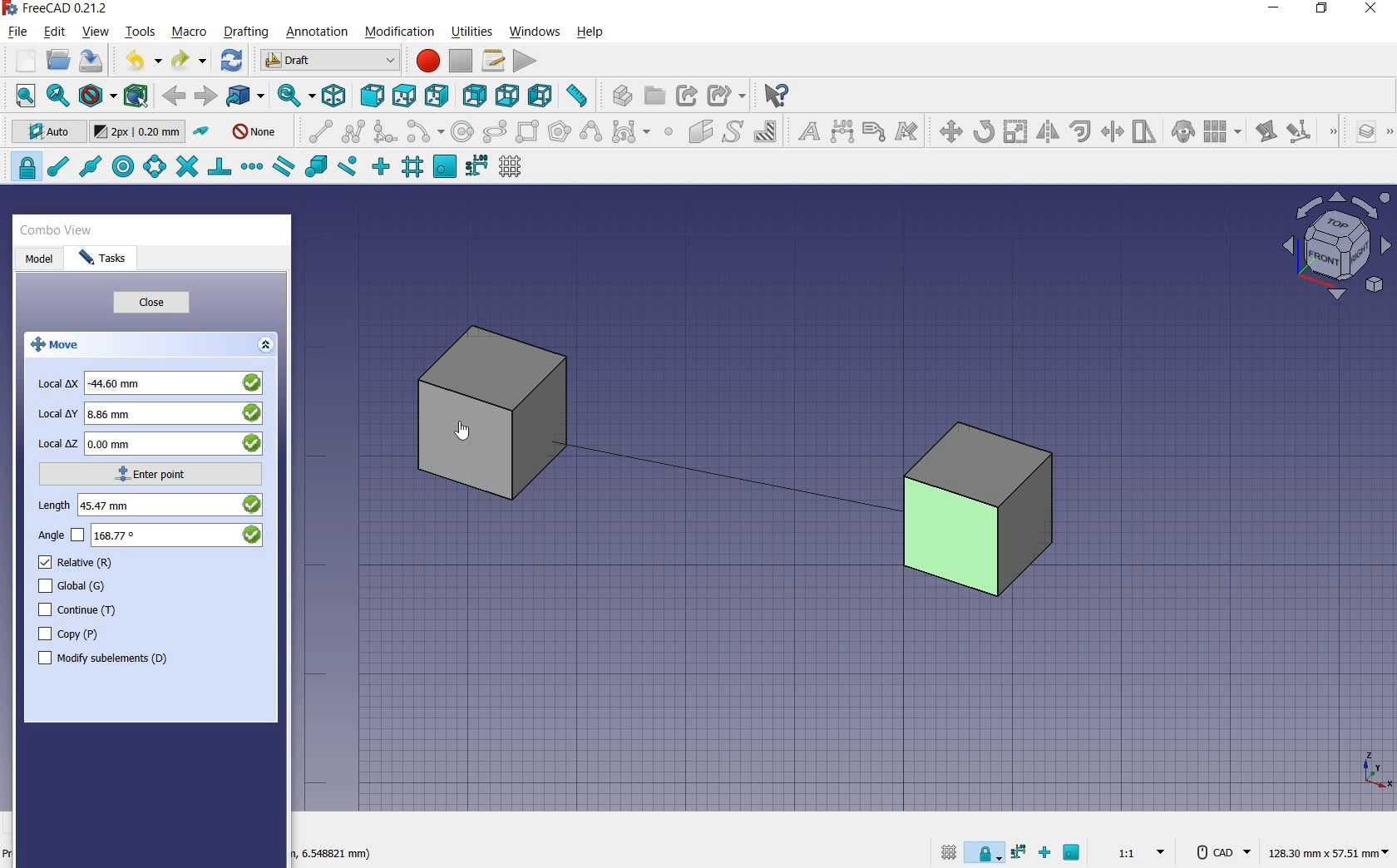 This screenshot has height=868, width=1397. I want to click on enter point, so click(151, 474).